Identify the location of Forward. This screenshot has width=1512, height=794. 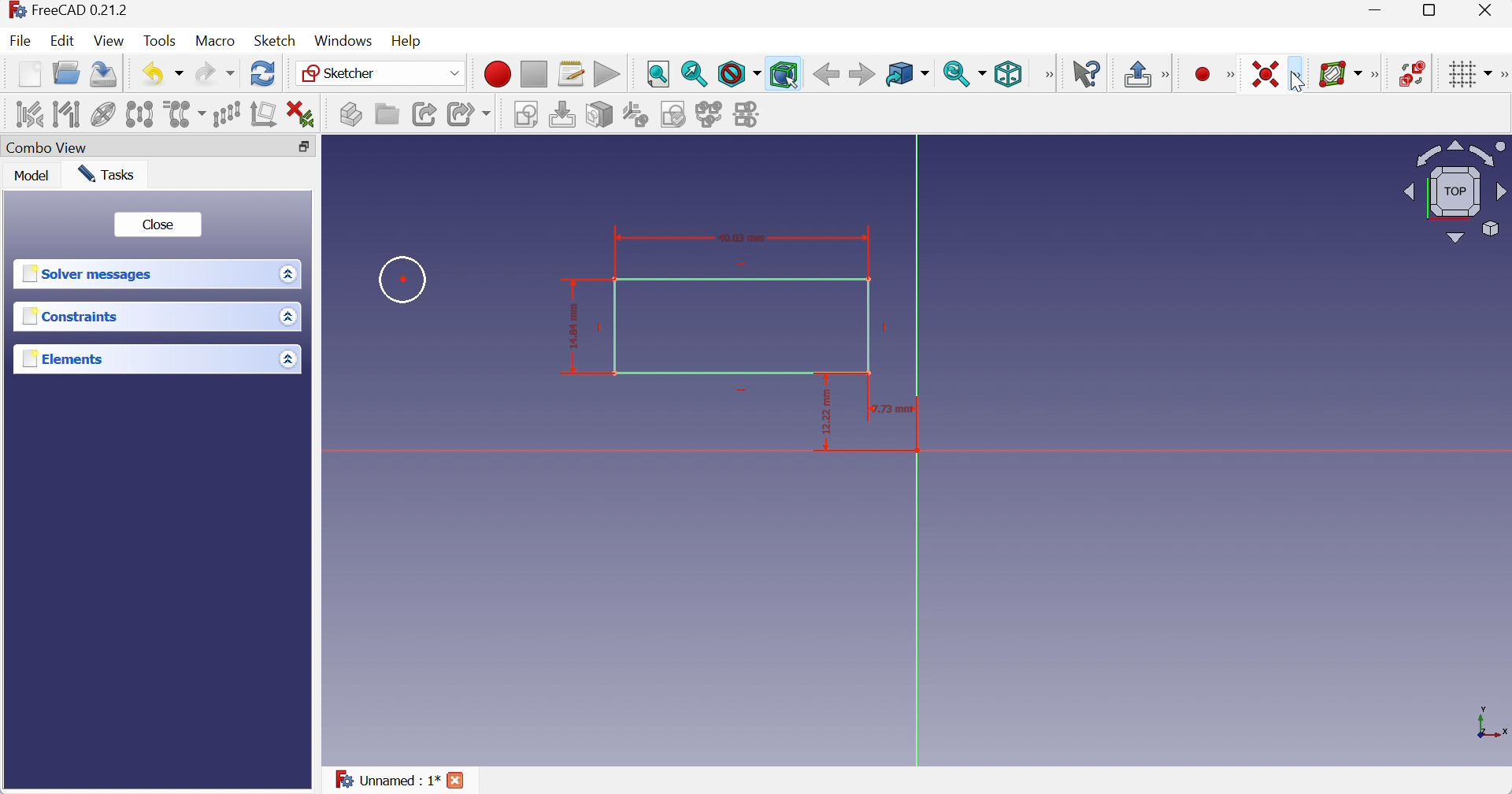
(862, 75).